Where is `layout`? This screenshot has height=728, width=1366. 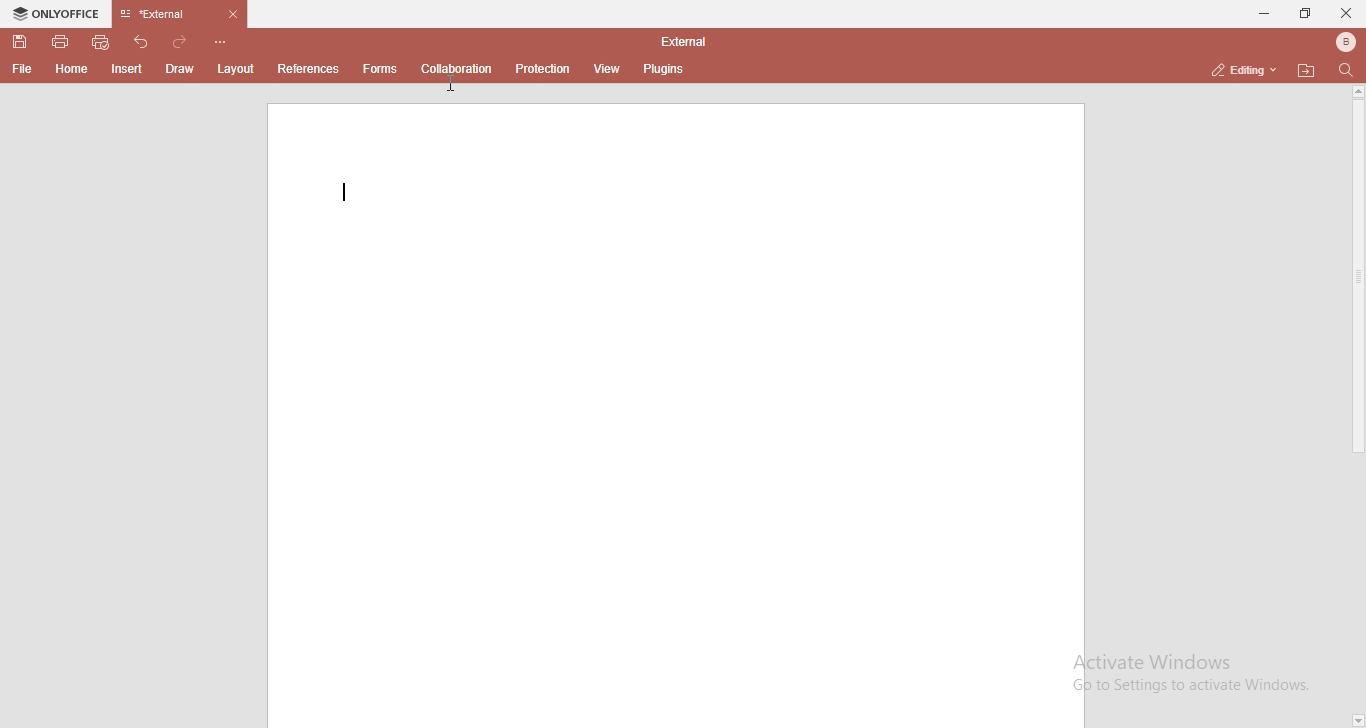
layout is located at coordinates (235, 70).